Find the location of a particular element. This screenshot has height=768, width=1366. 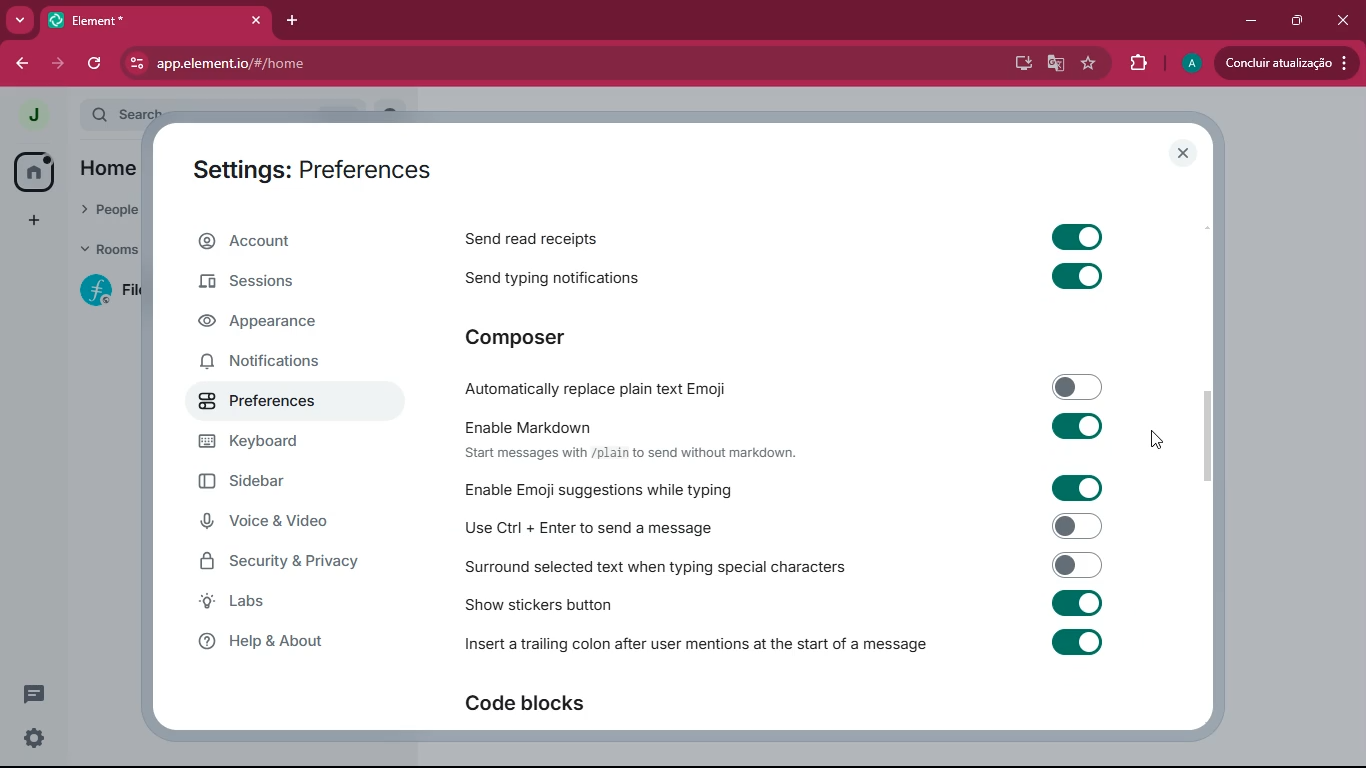

toggle on or off is located at coordinates (1076, 275).